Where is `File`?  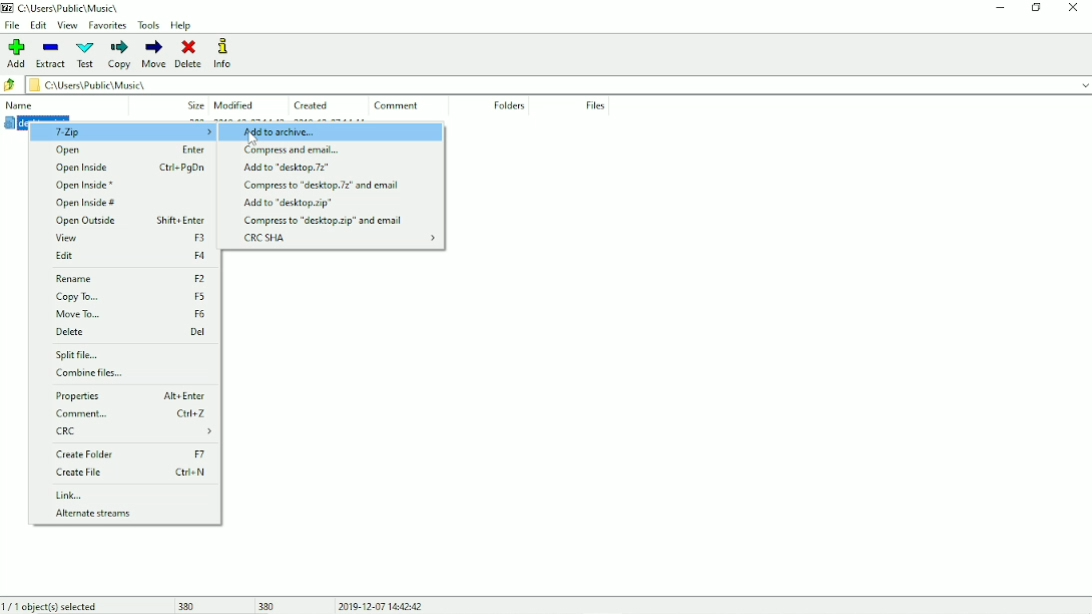 File is located at coordinates (596, 106).